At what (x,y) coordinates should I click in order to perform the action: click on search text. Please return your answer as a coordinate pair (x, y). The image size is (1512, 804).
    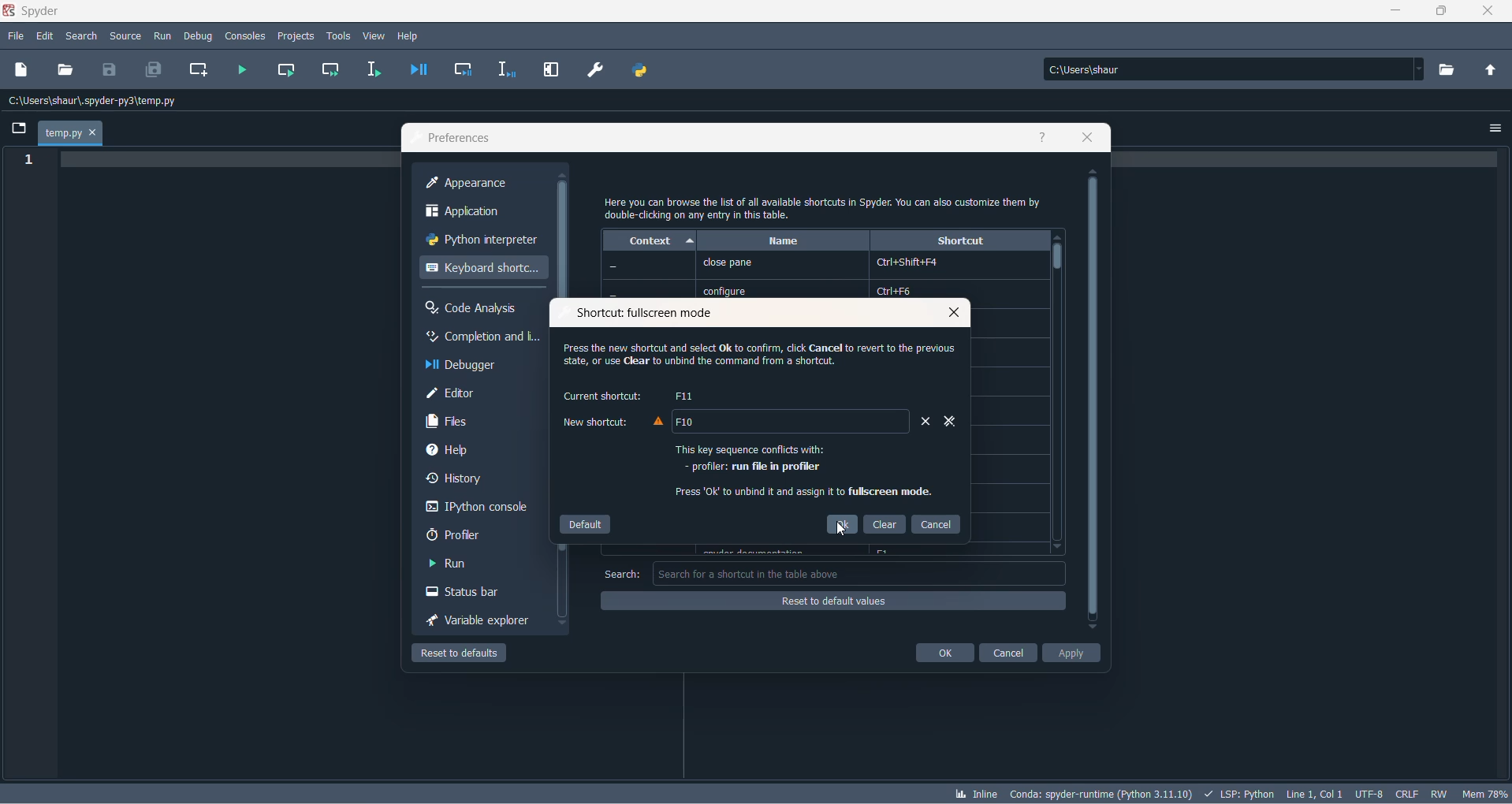
    Looking at the image, I should click on (621, 575).